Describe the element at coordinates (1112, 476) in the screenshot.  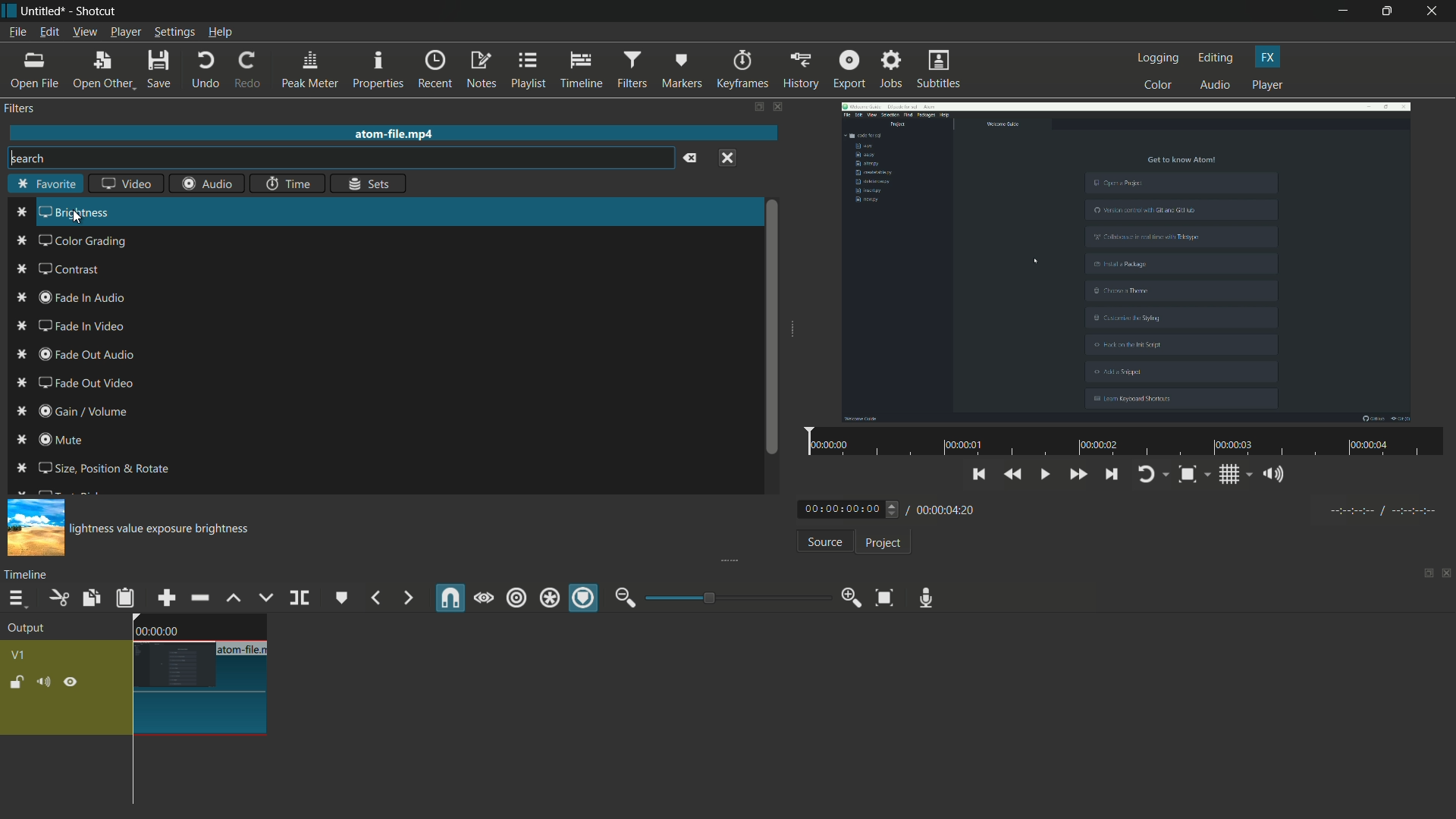
I see `skip to the next point` at that location.